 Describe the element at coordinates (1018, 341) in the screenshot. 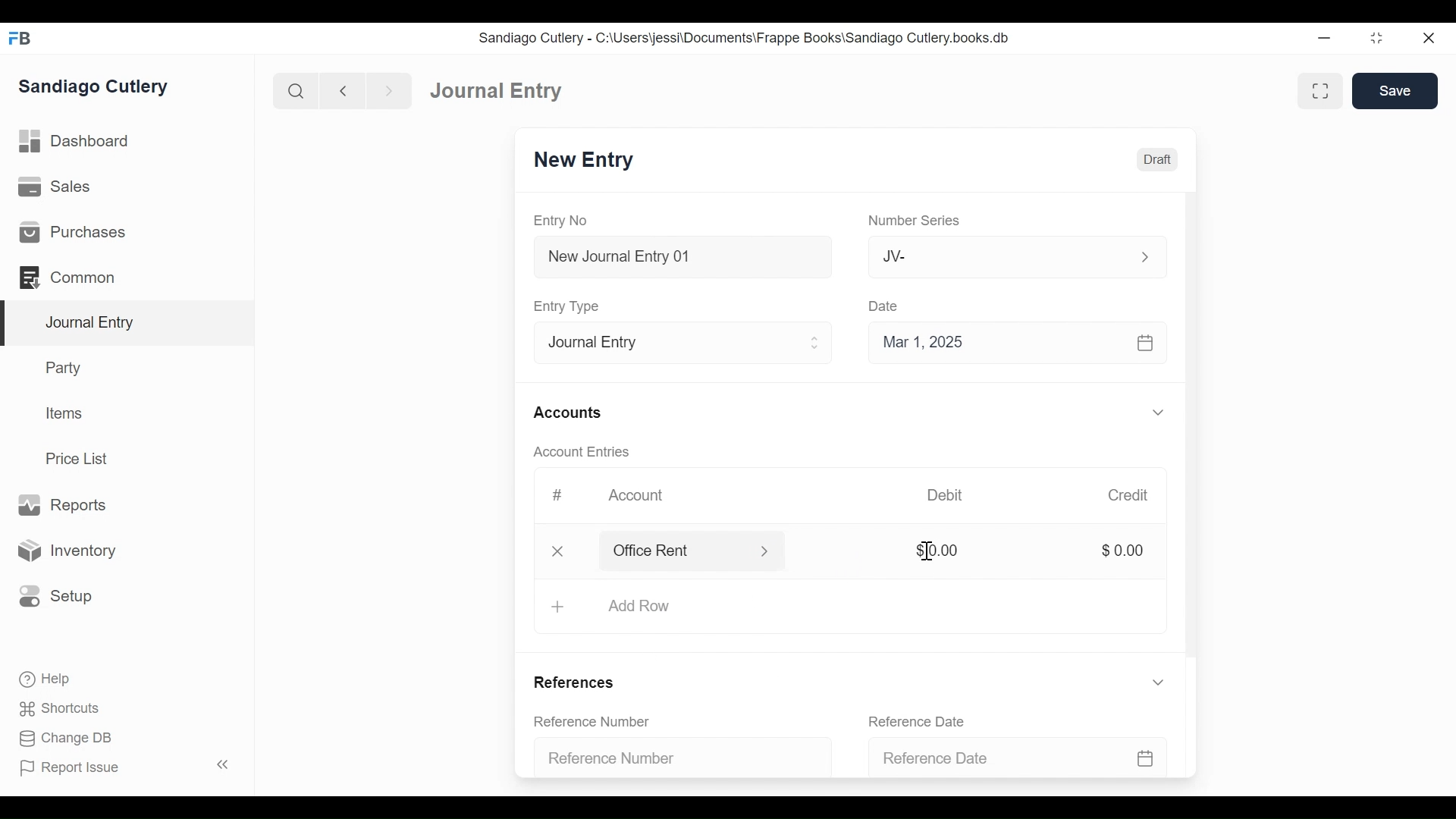

I see `Mar 1, 2025` at that location.